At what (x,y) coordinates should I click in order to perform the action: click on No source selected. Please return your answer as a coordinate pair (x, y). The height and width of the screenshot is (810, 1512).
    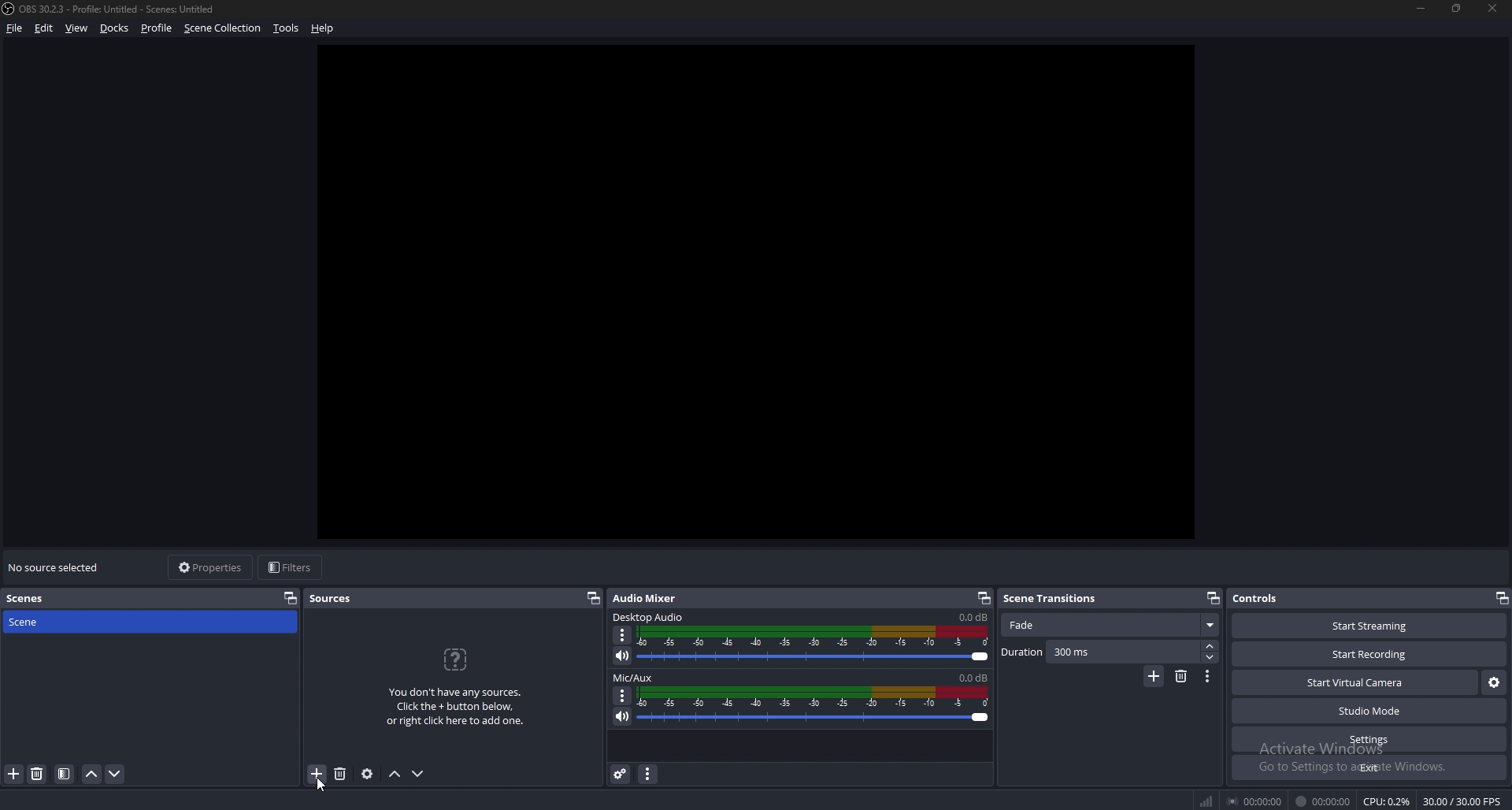
    Looking at the image, I should click on (57, 567).